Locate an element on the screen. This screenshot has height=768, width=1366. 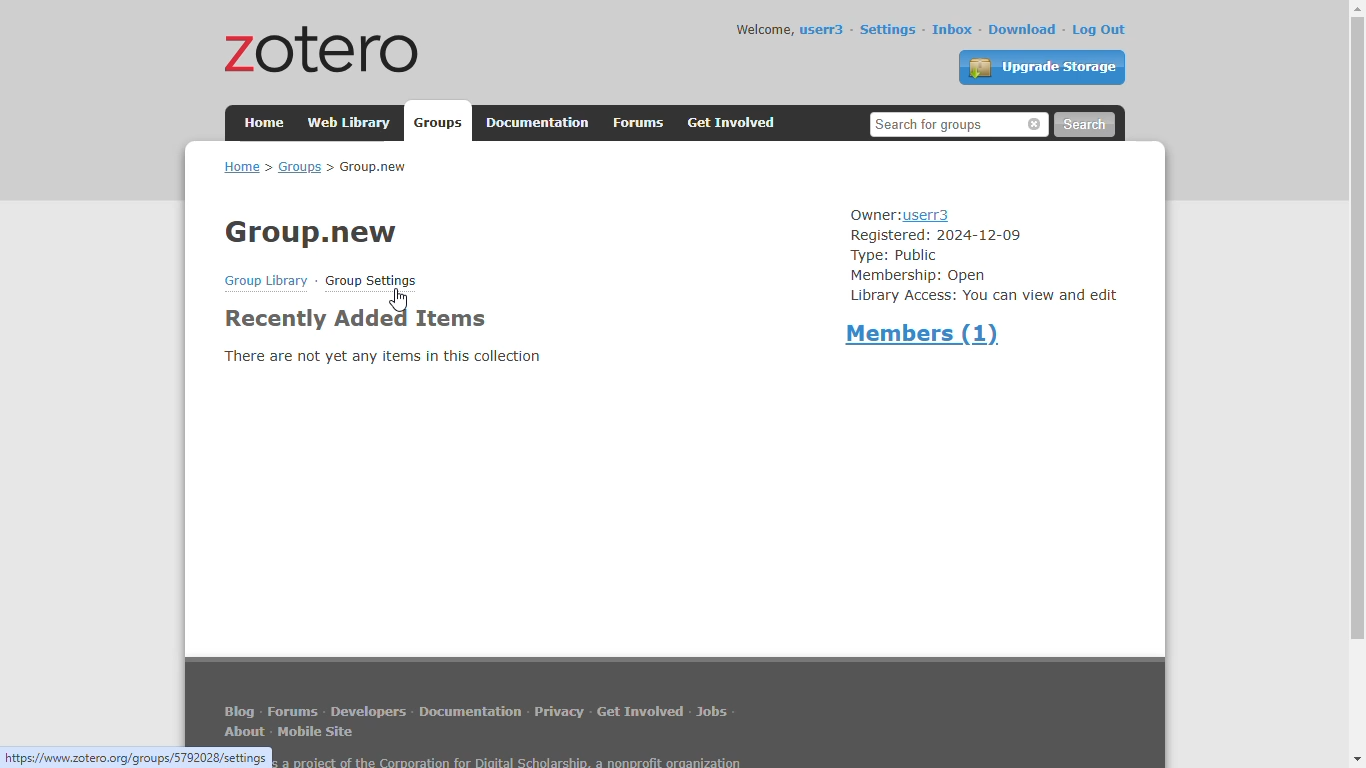
membership: open is located at coordinates (919, 276).